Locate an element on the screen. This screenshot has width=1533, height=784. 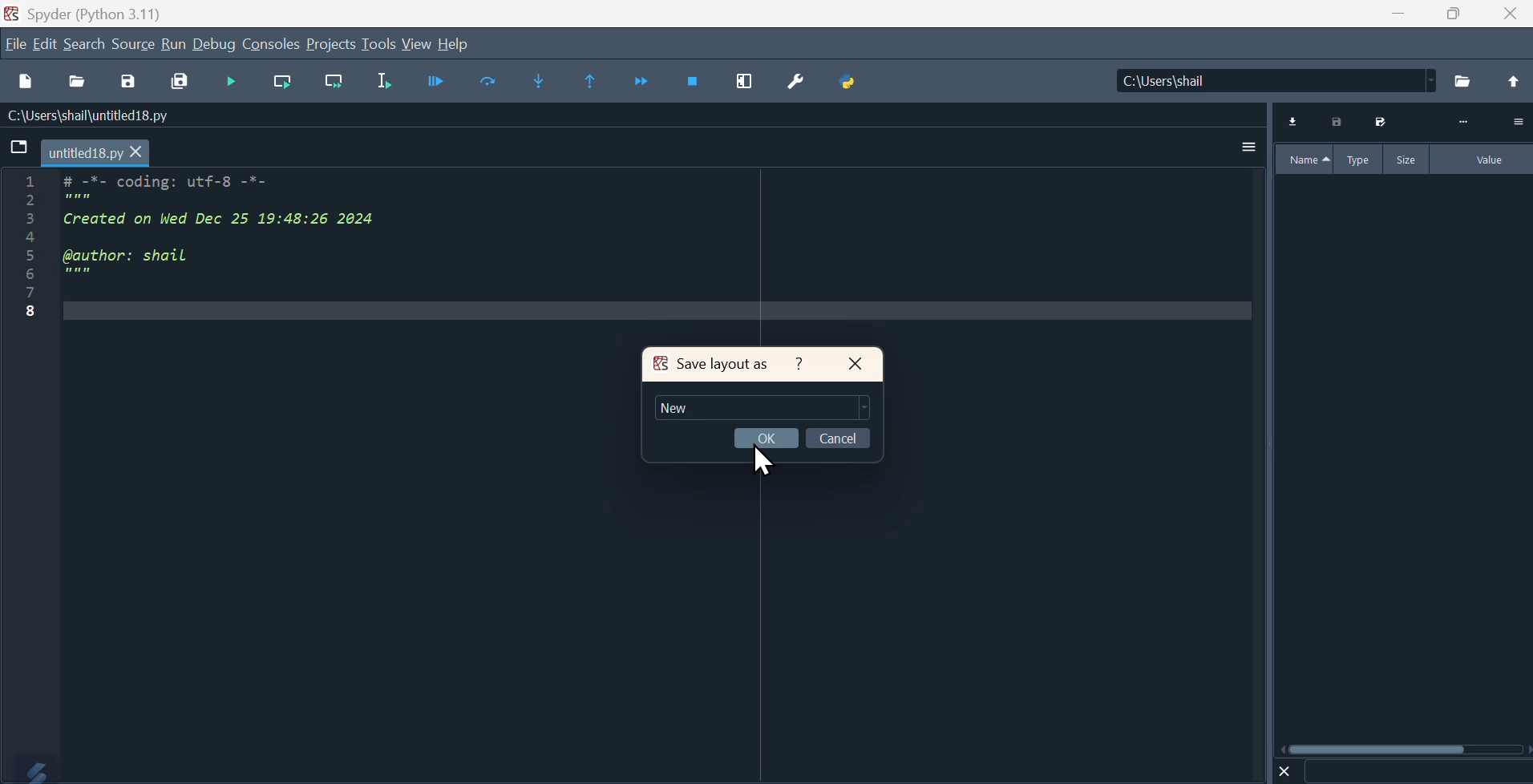
Save layout as is located at coordinates (710, 364).